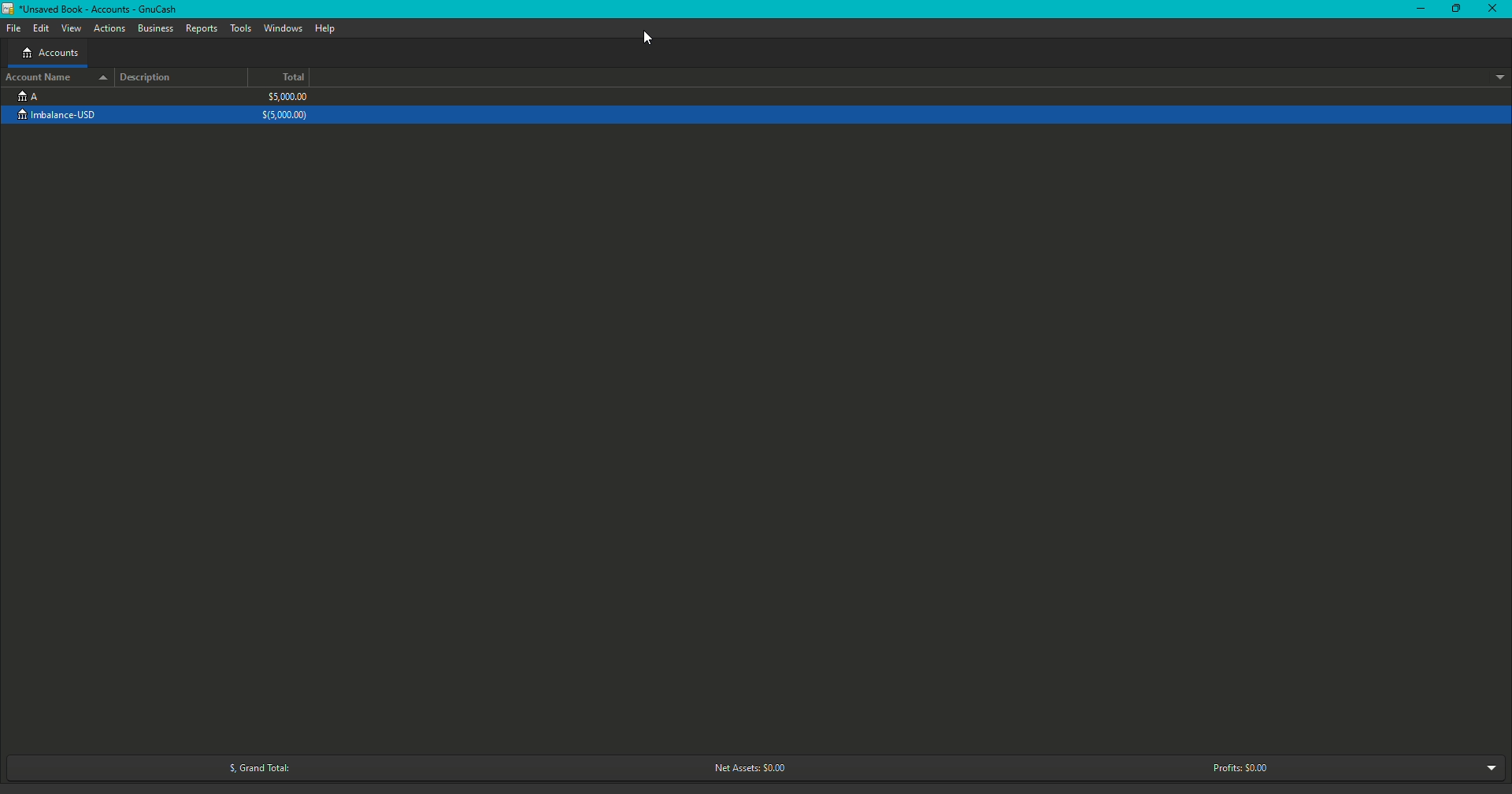  Describe the element at coordinates (1455, 9) in the screenshot. I see `Restore` at that location.